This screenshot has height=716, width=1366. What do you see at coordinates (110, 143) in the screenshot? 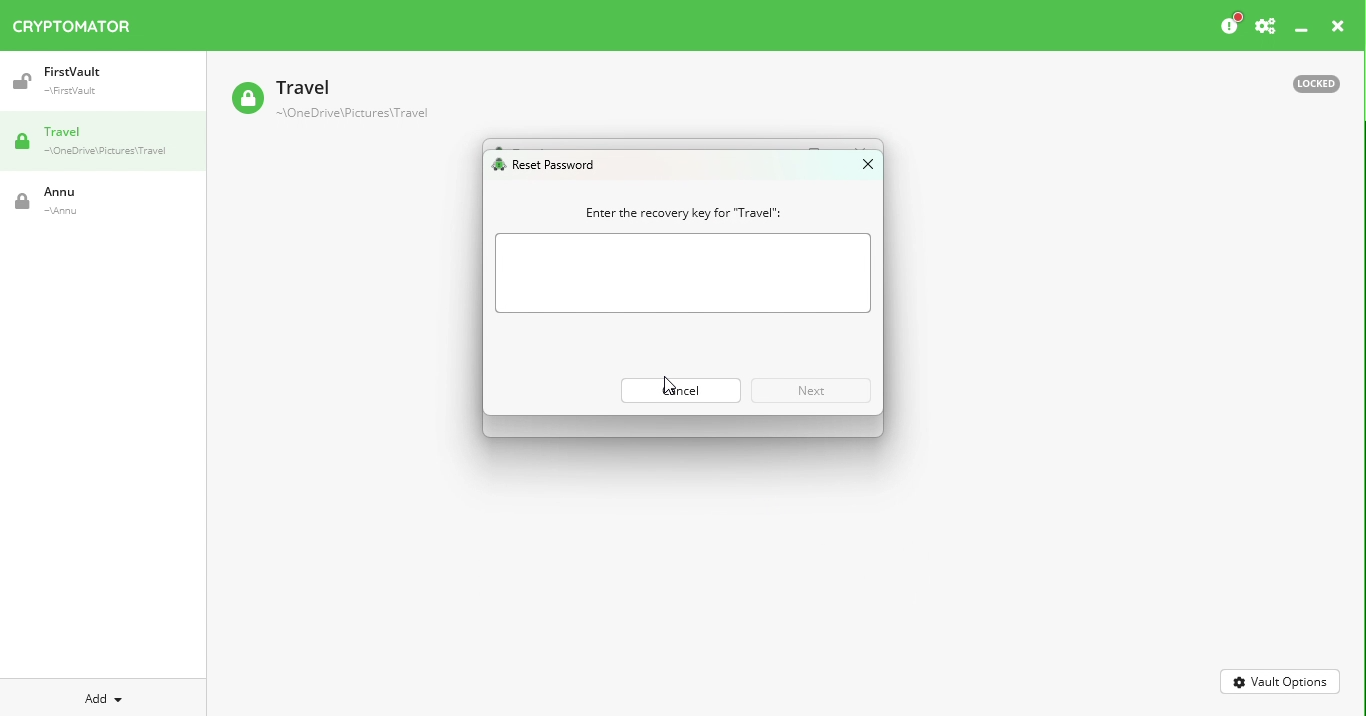
I see `Travel` at bounding box center [110, 143].